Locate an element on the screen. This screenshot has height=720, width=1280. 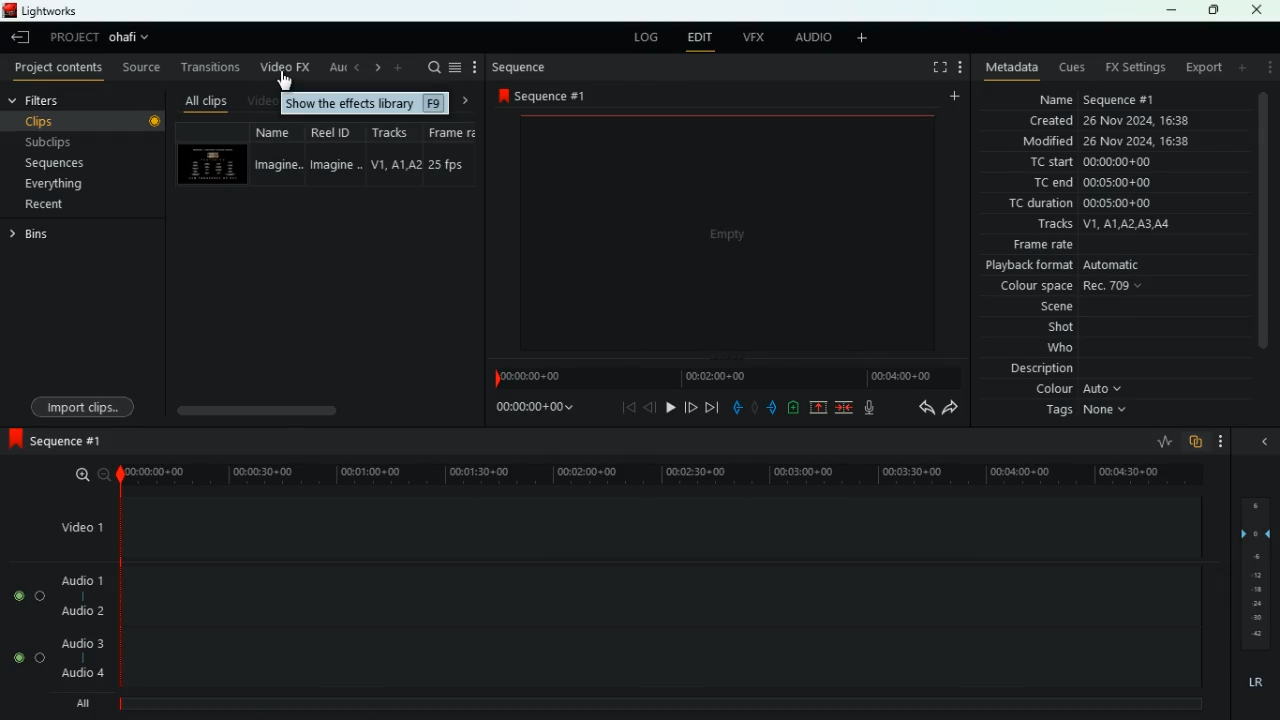
video is located at coordinates (209, 165).